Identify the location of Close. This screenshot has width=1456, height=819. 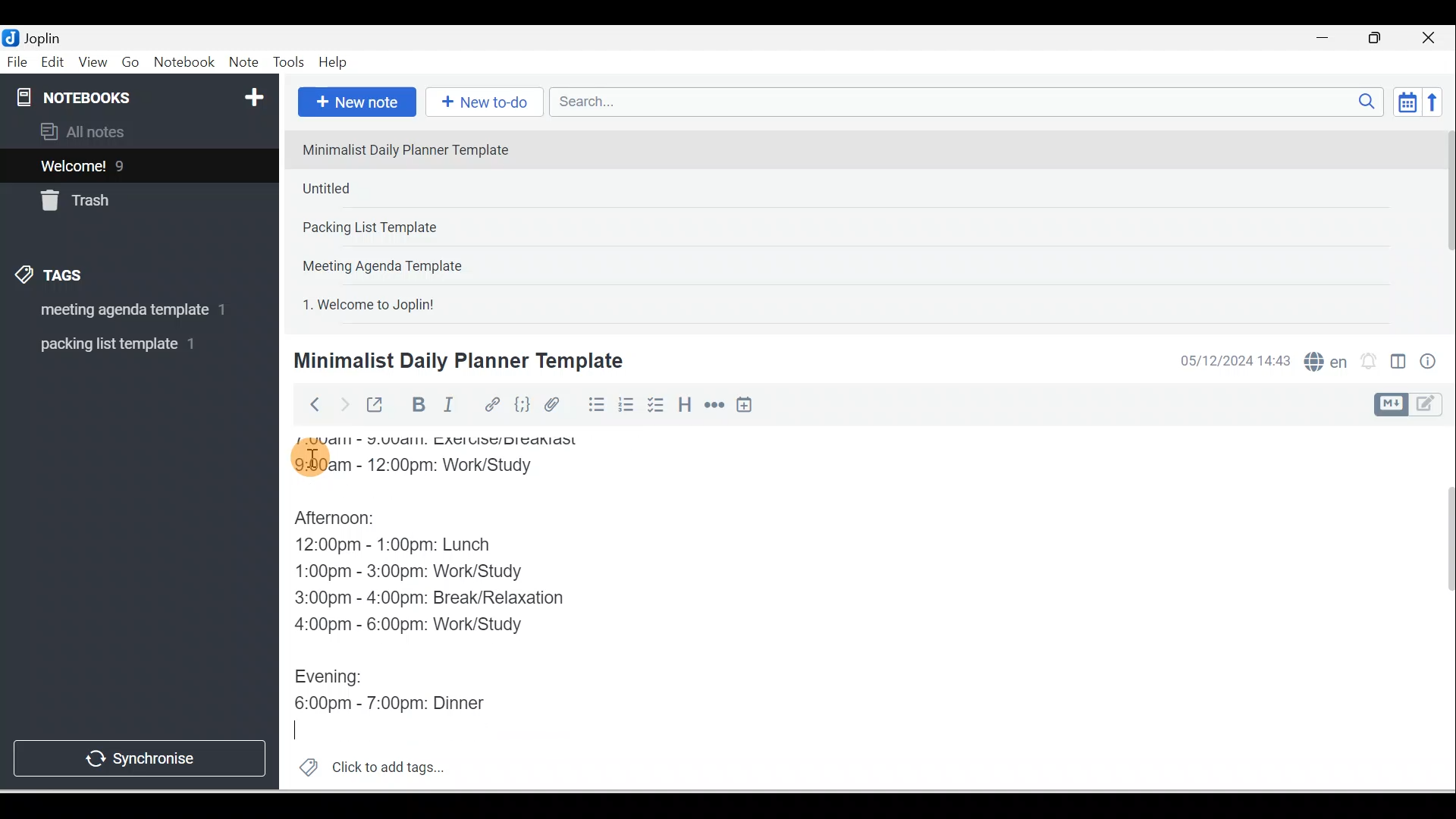
(1432, 38).